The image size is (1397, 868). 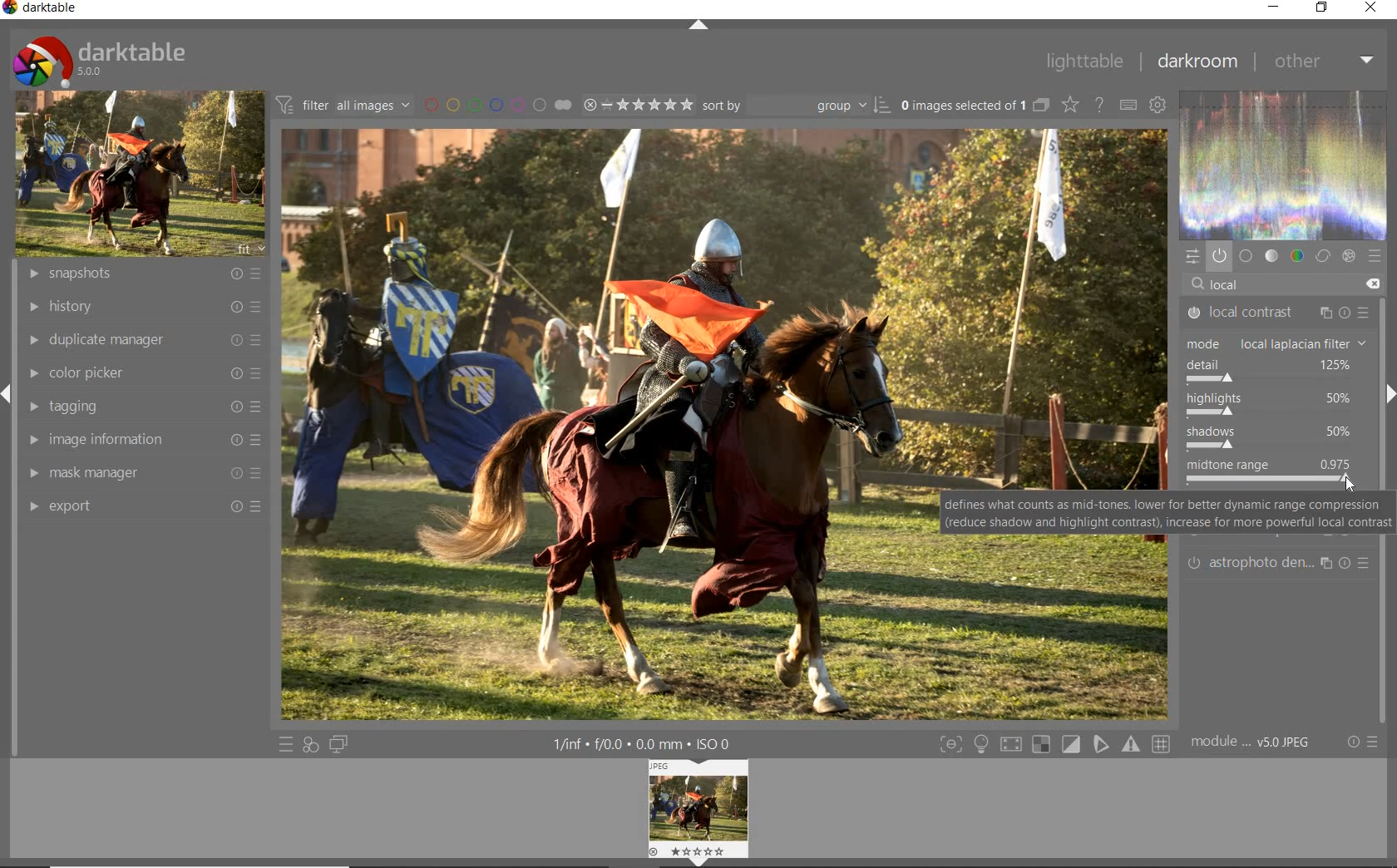 What do you see at coordinates (637, 104) in the screenshot?
I see `selected Image range rating` at bounding box center [637, 104].